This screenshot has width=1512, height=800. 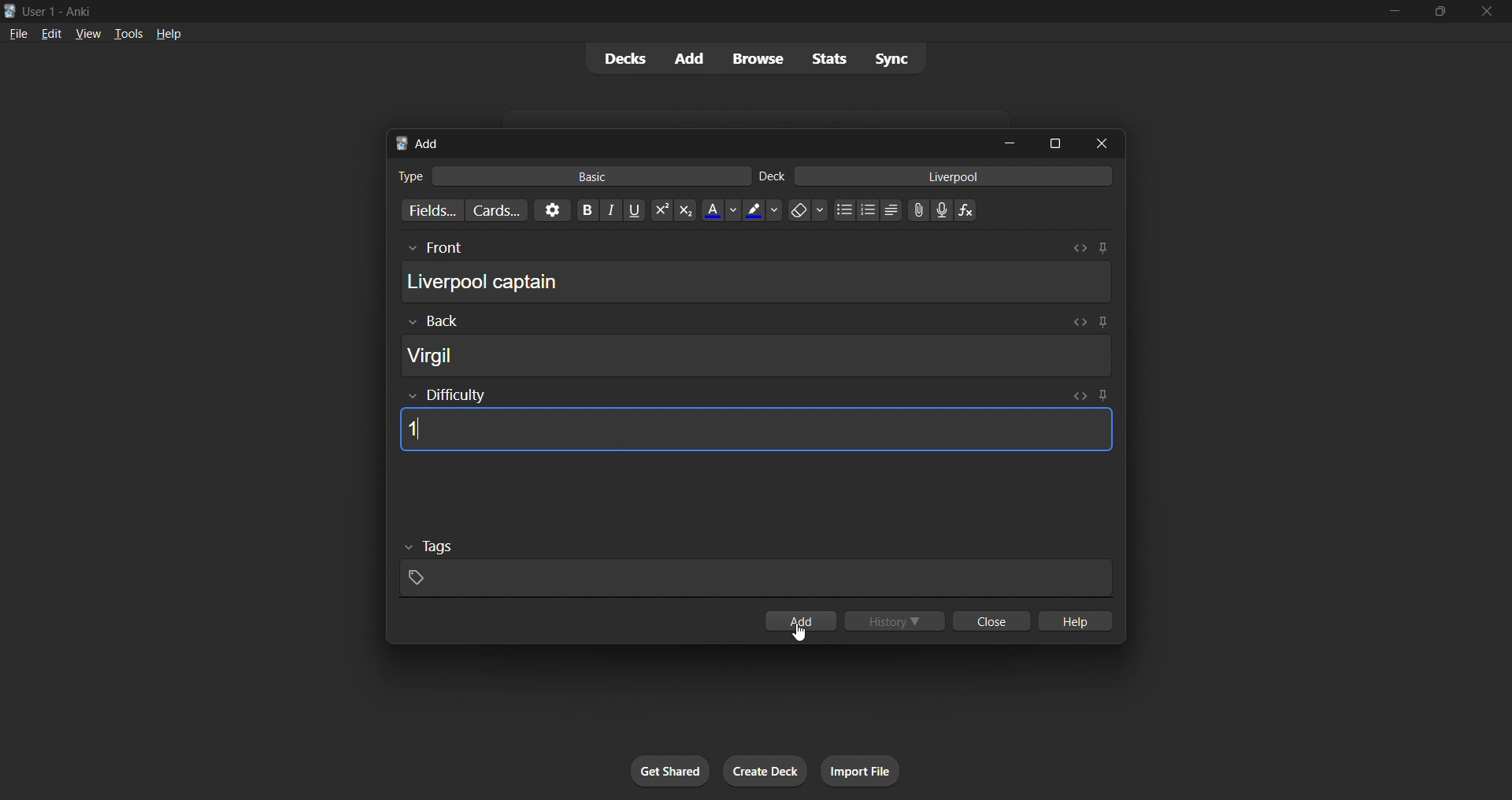 What do you see at coordinates (1487, 12) in the screenshot?
I see `close` at bounding box center [1487, 12].